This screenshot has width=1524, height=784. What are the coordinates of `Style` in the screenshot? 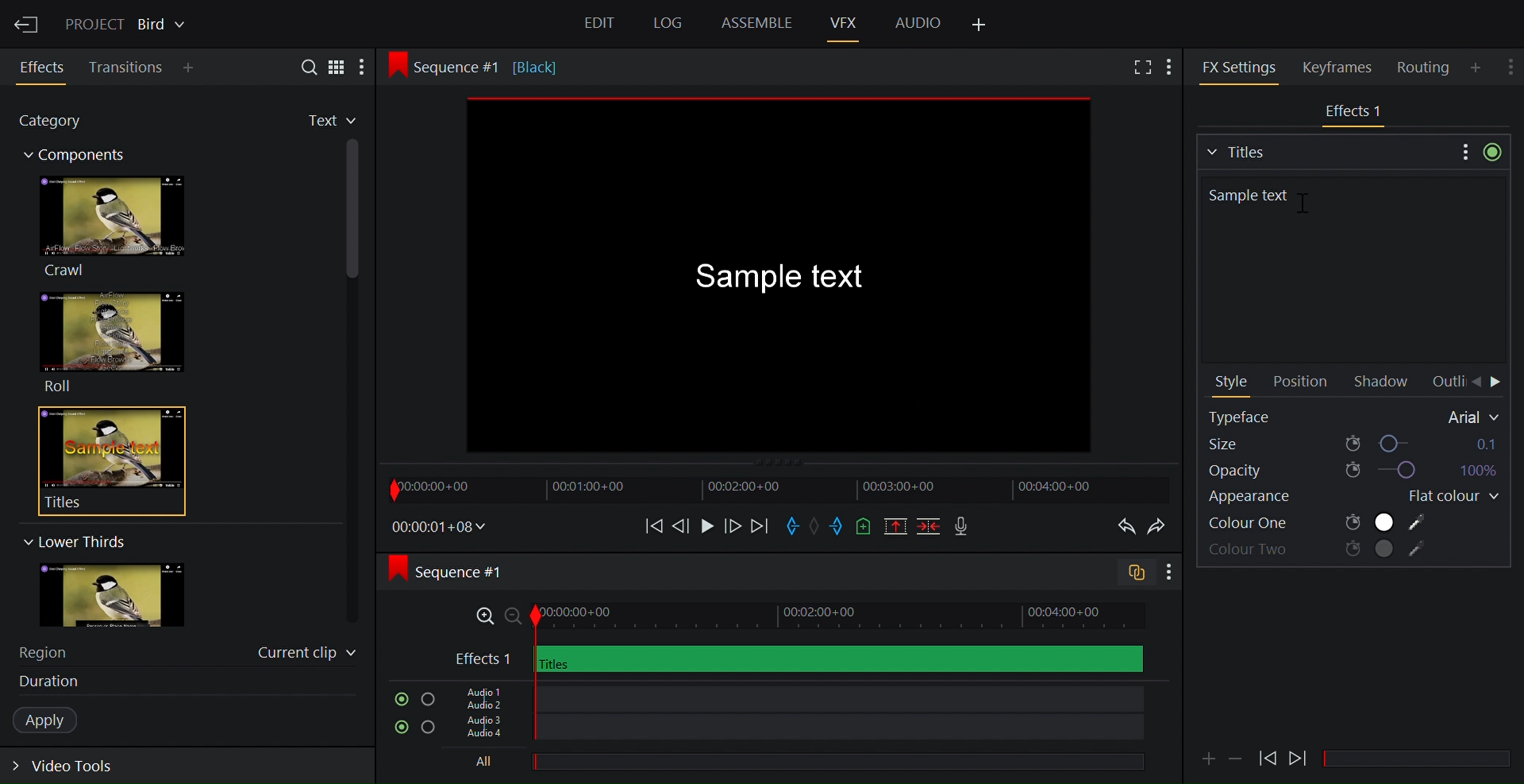 It's located at (1233, 383).